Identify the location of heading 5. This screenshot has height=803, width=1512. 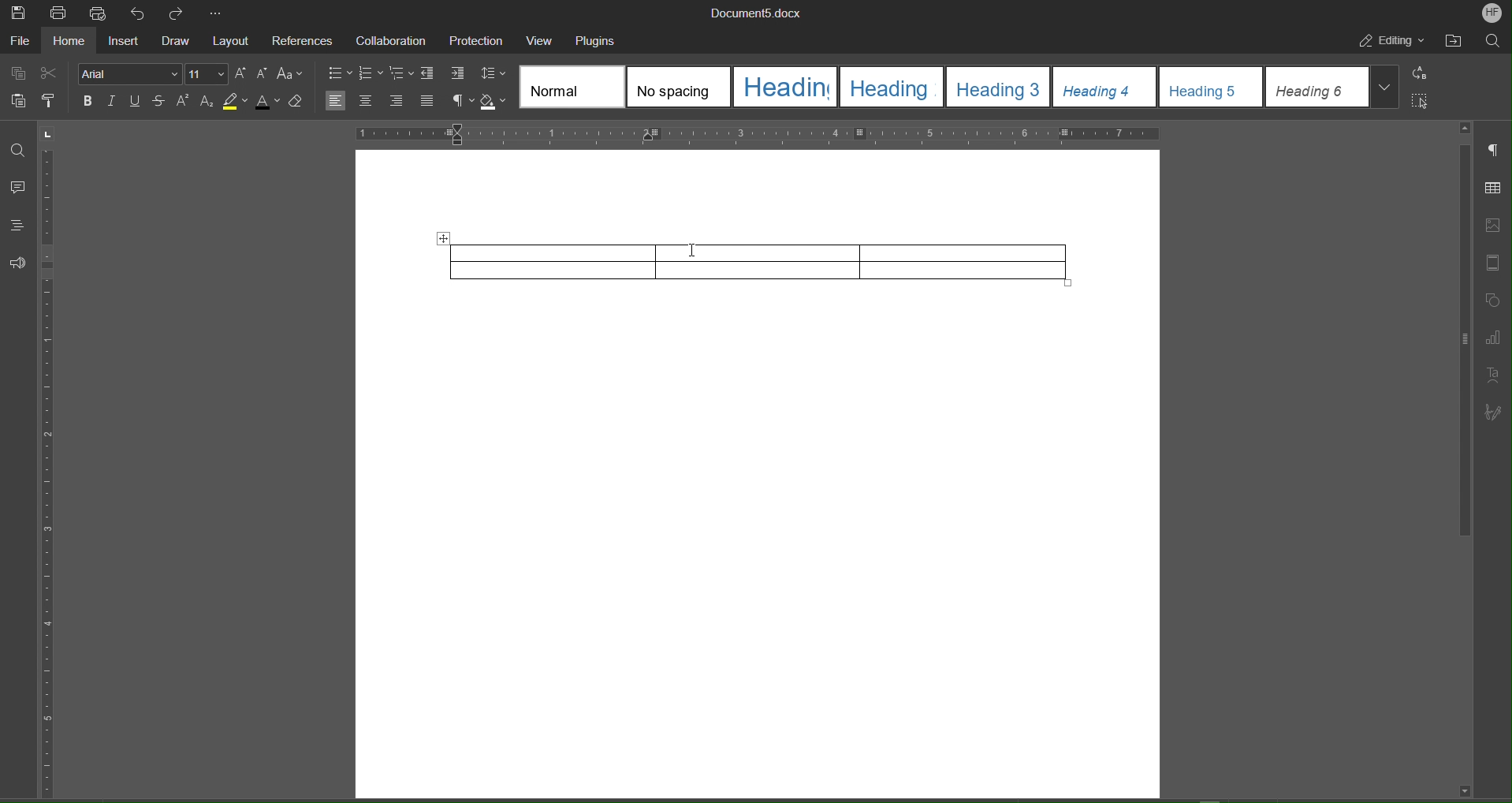
(1212, 87).